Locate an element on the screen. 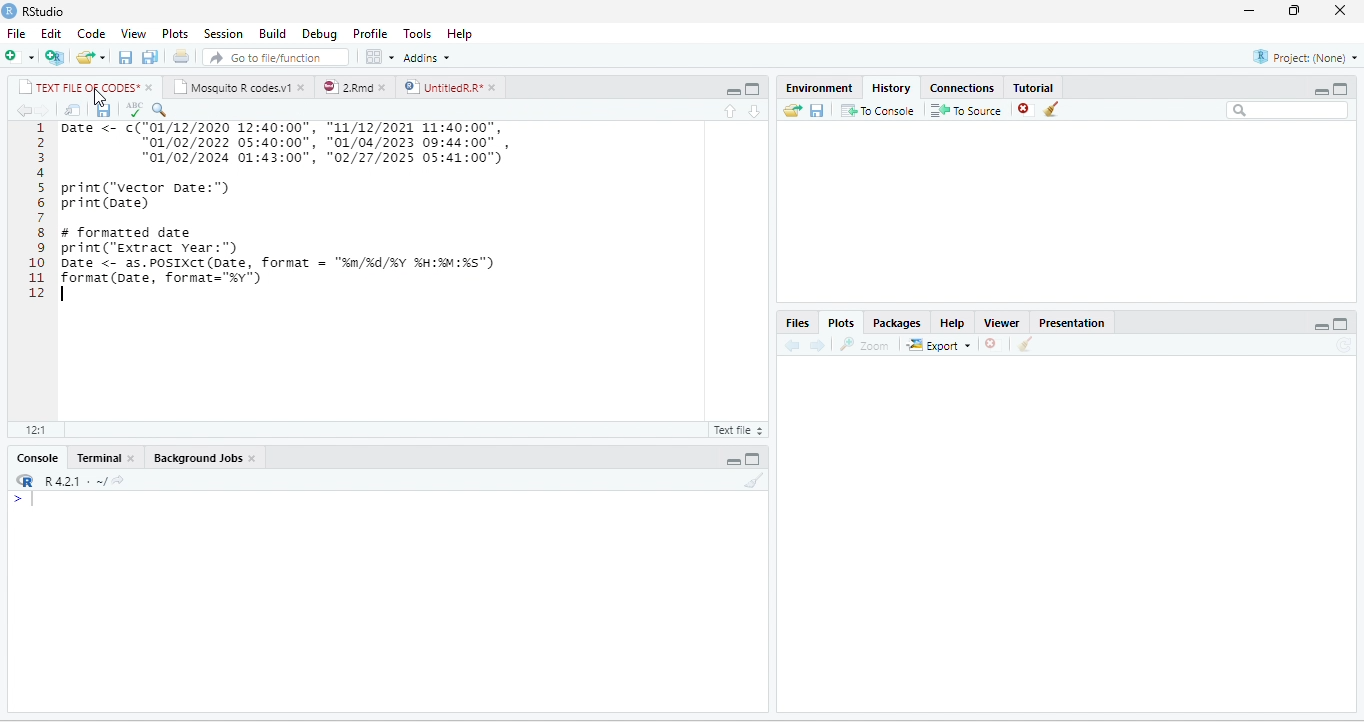 The image size is (1364, 722). up is located at coordinates (730, 111).